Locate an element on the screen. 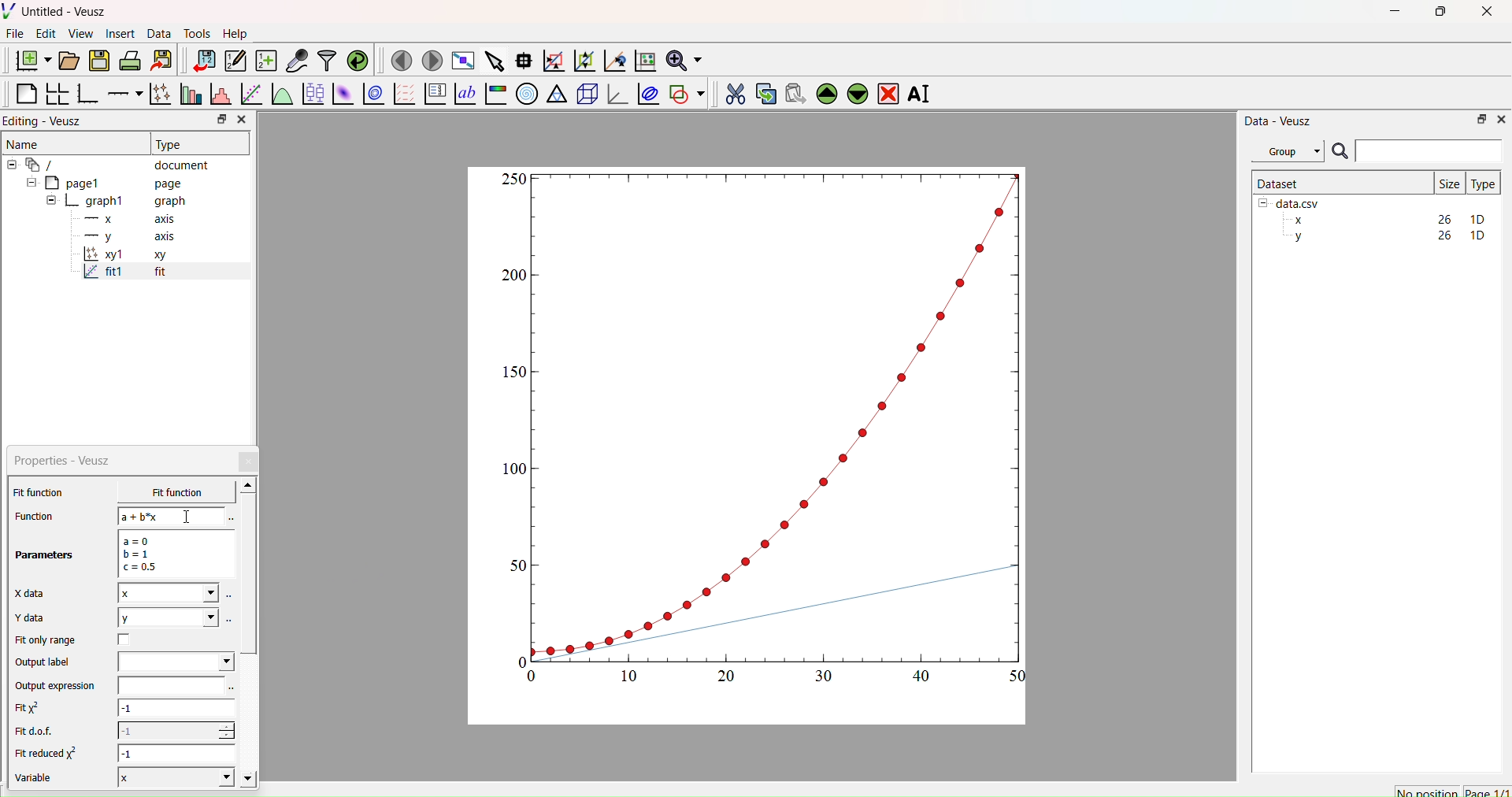 The image size is (1512, 797). Editing - Veusz is located at coordinates (47, 120).